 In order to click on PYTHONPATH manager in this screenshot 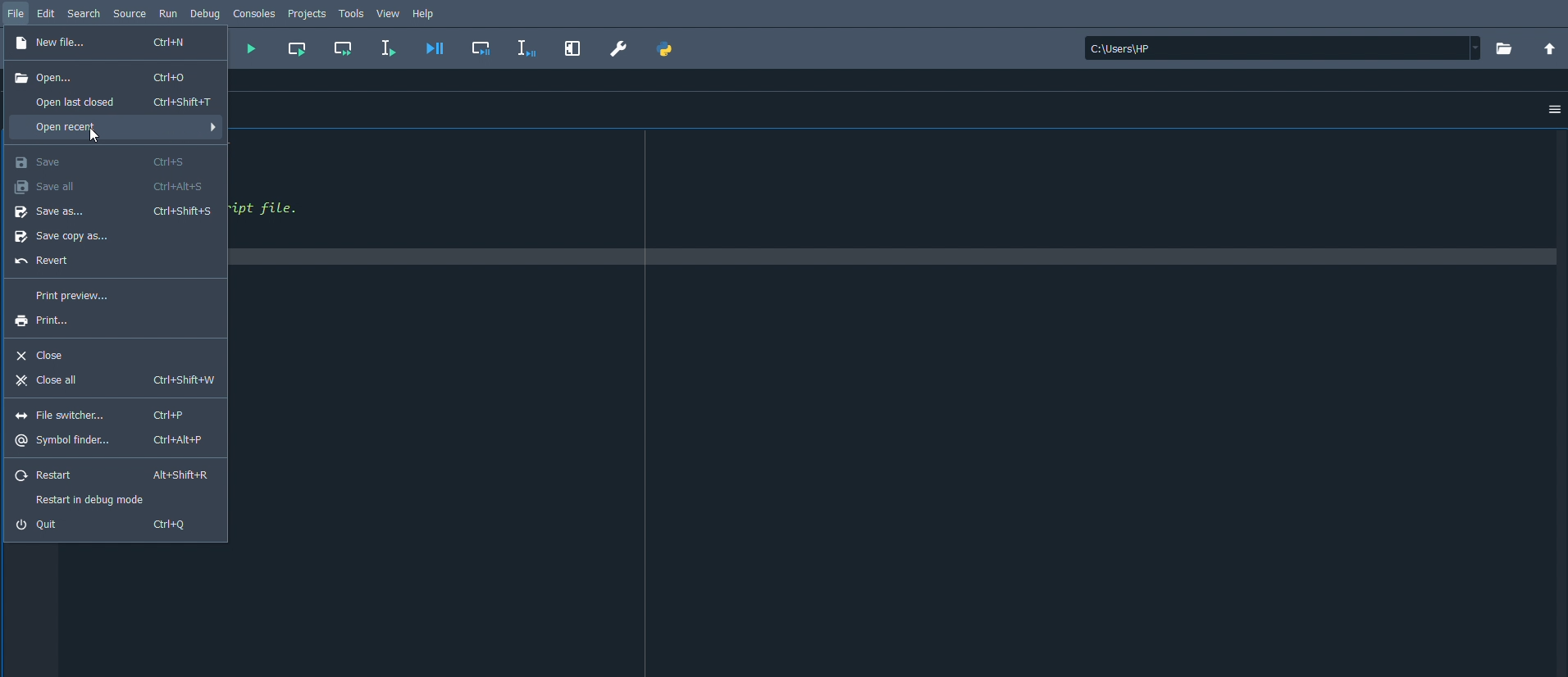, I will do `click(666, 49)`.